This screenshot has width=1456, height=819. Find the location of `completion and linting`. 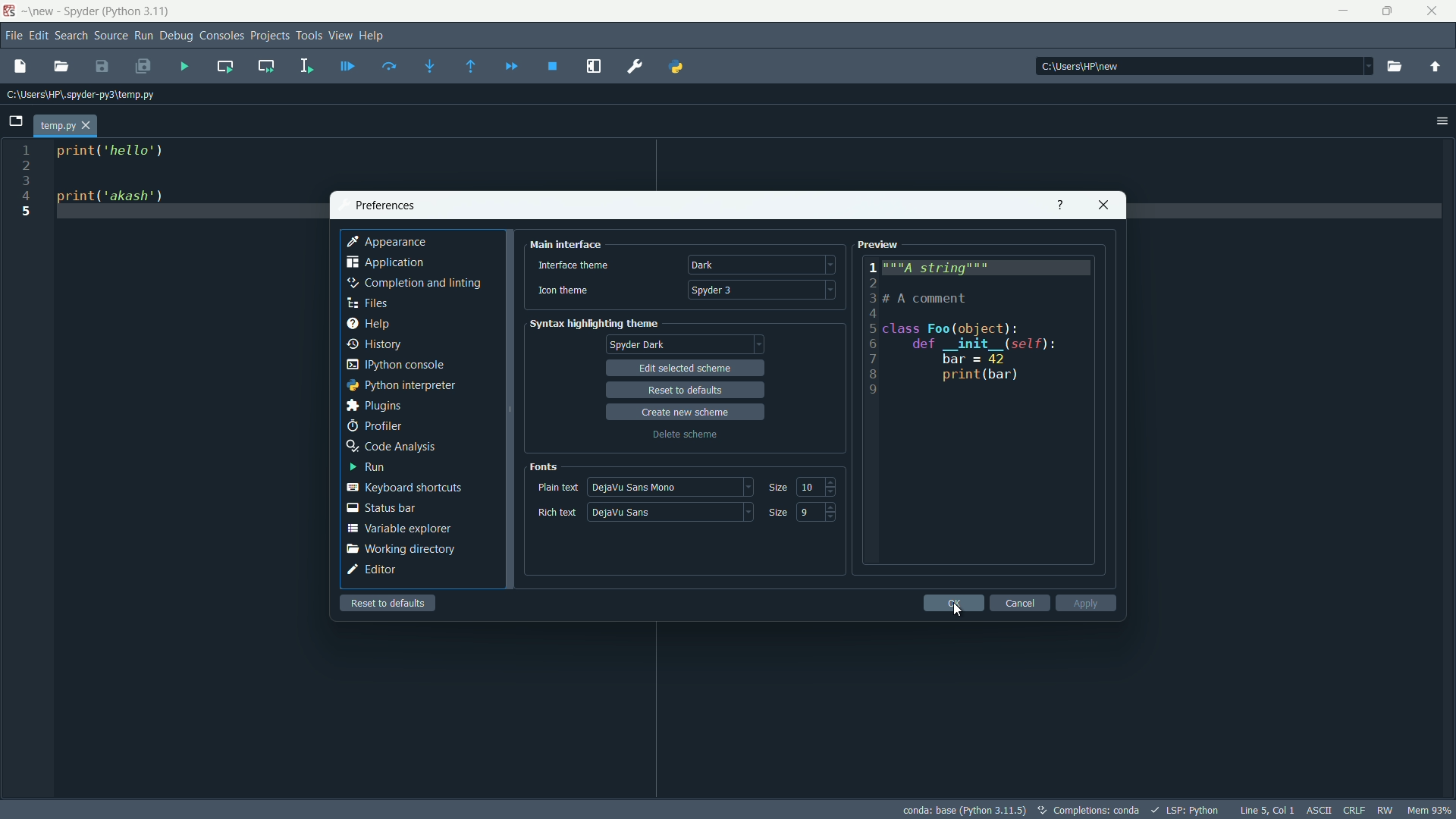

completion and linting is located at coordinates (413, 283).